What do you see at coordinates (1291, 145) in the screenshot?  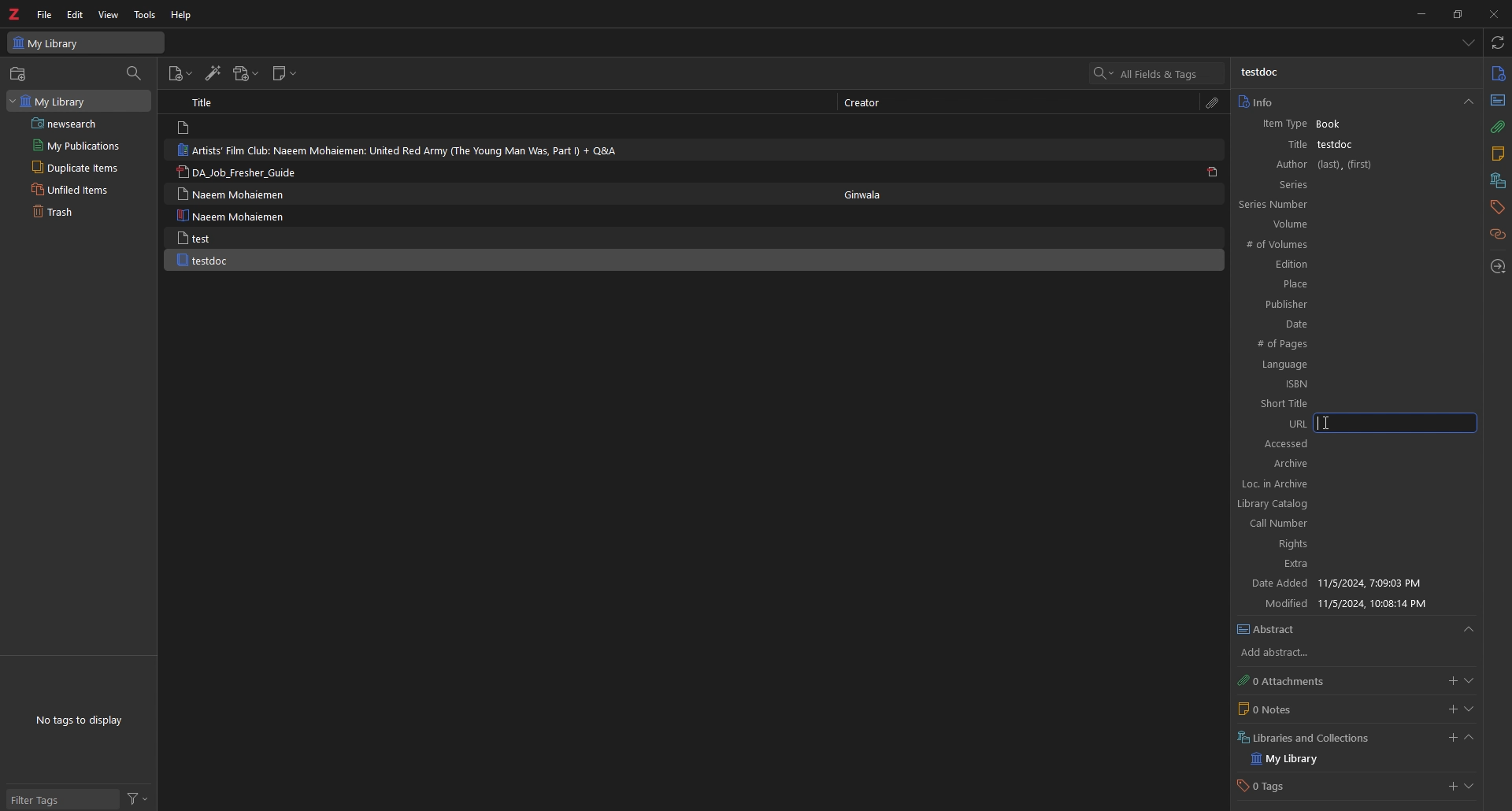 I see `title` at bounding box center [1291, 145].